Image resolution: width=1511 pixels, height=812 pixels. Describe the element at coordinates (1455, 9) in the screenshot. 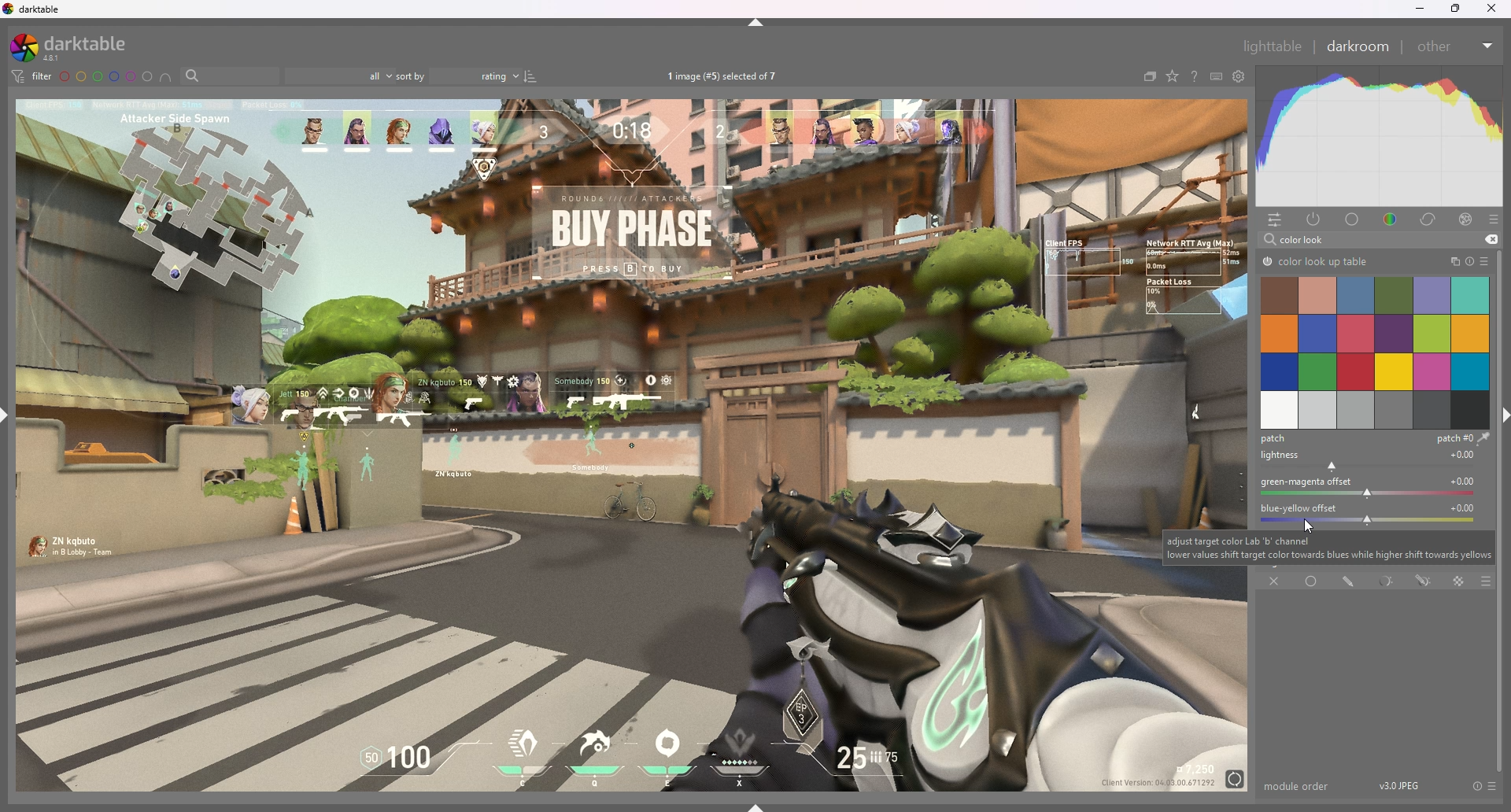

I see `resize` at that location.